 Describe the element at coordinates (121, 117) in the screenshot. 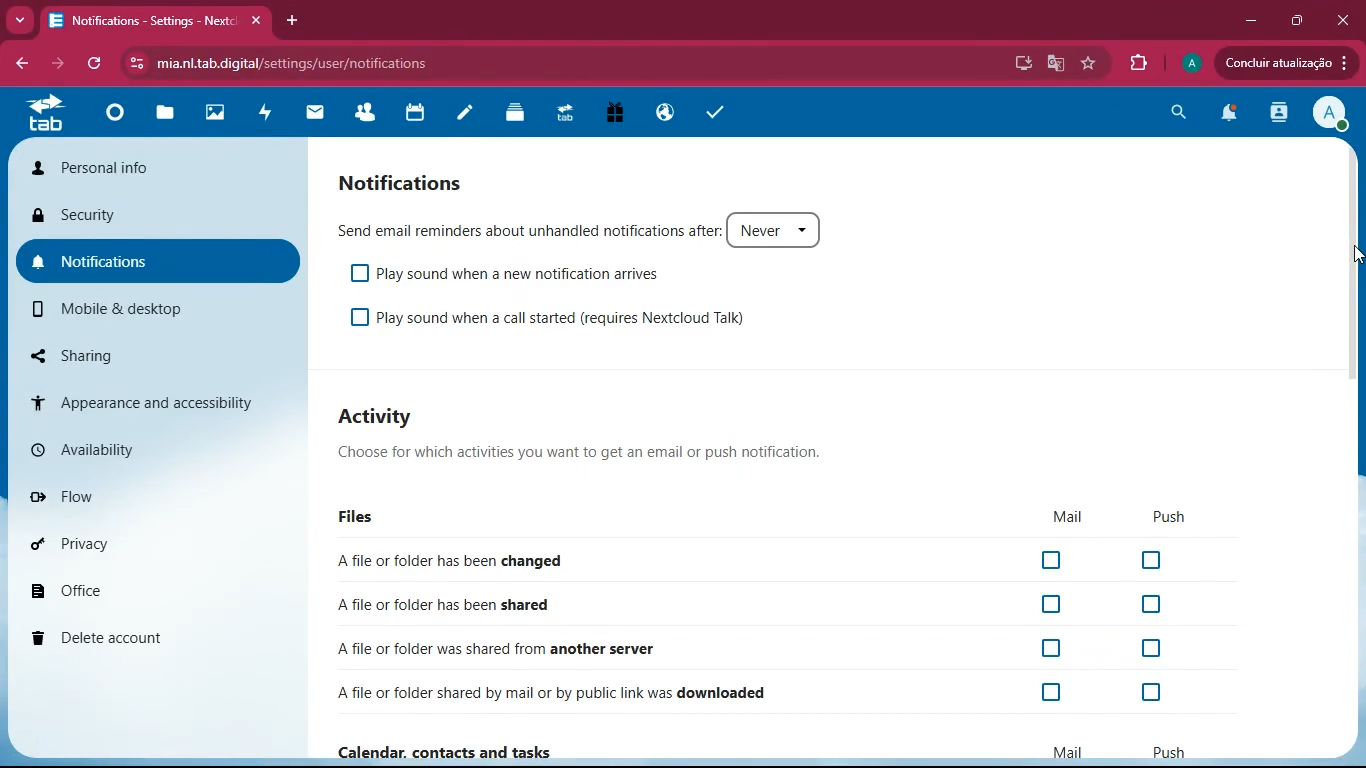

I see `home` at that location.